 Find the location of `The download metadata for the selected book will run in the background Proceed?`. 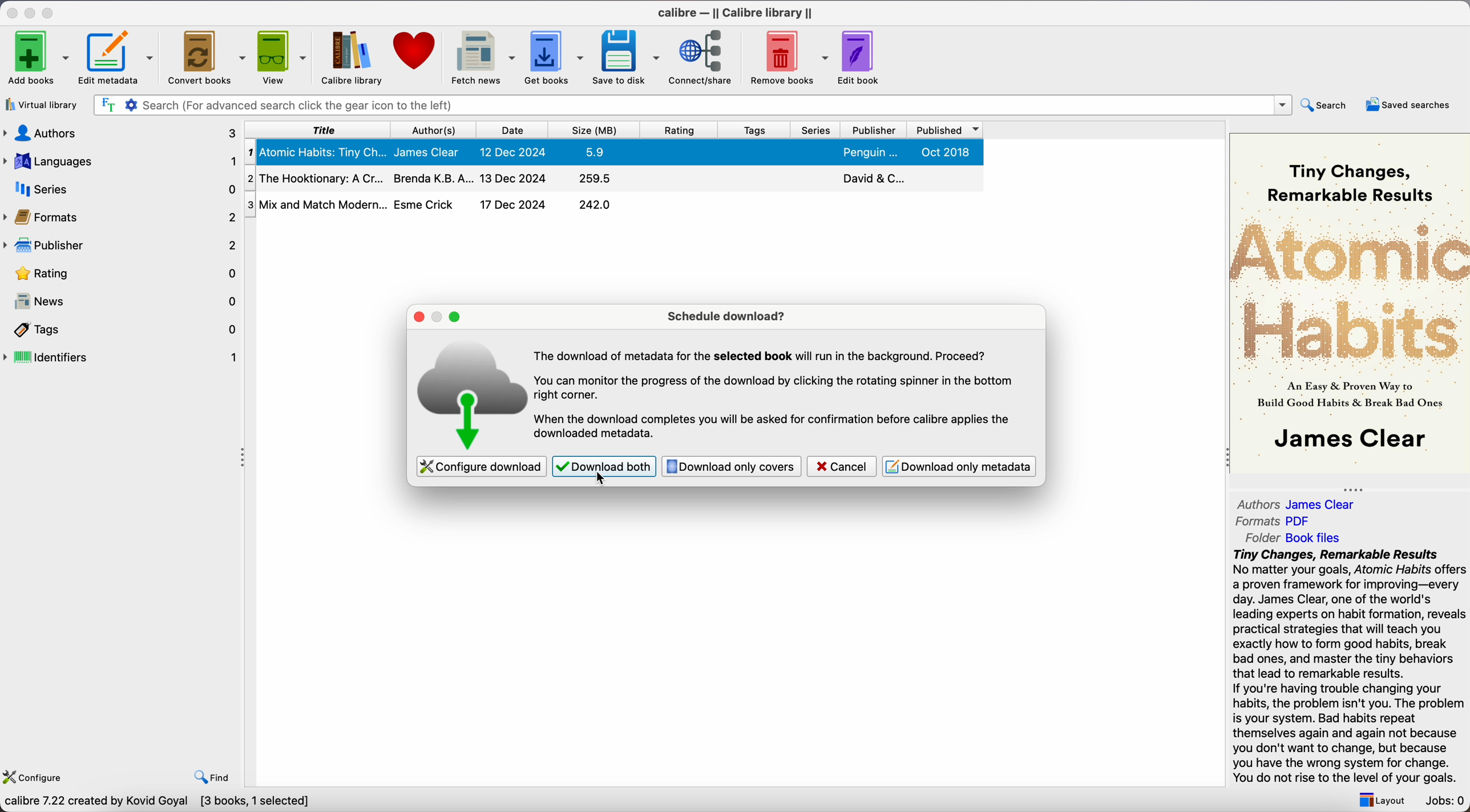

The download metadata for the selected book will run in the background Proceed? is located at coordinates (765, 357).